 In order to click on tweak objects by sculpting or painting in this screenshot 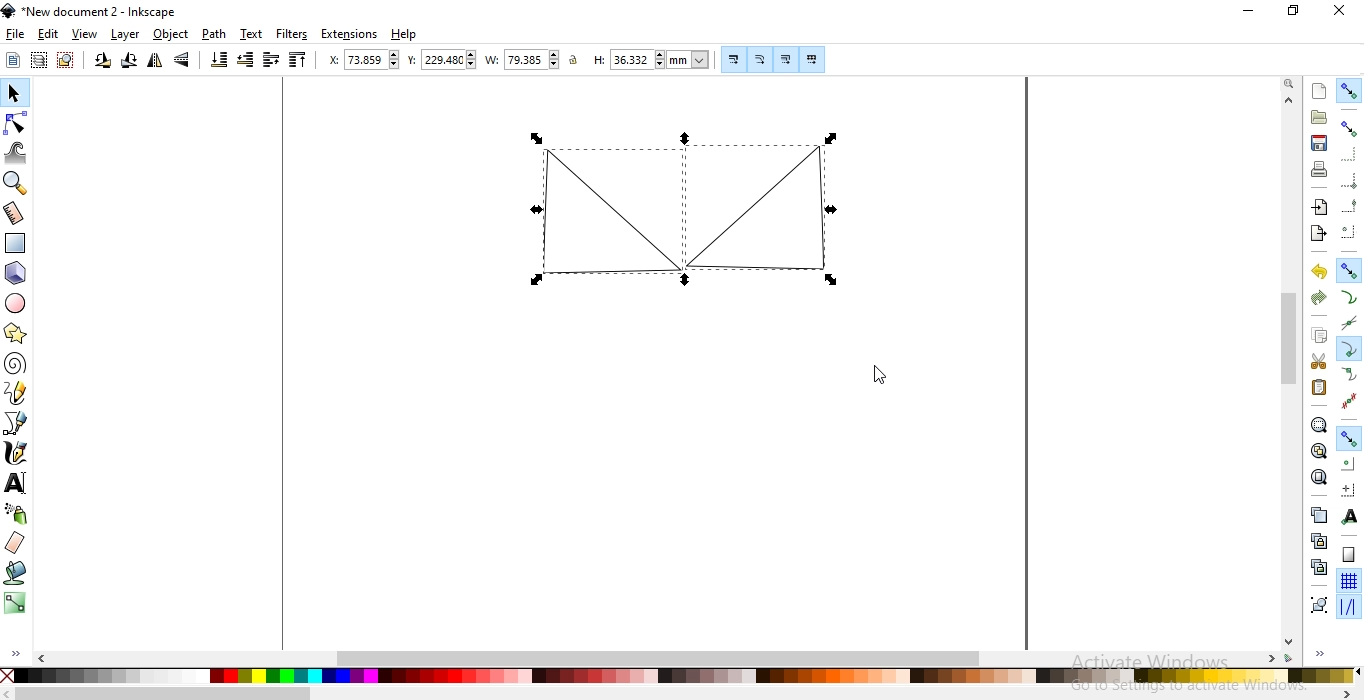, I will do `click(15, 153)`.